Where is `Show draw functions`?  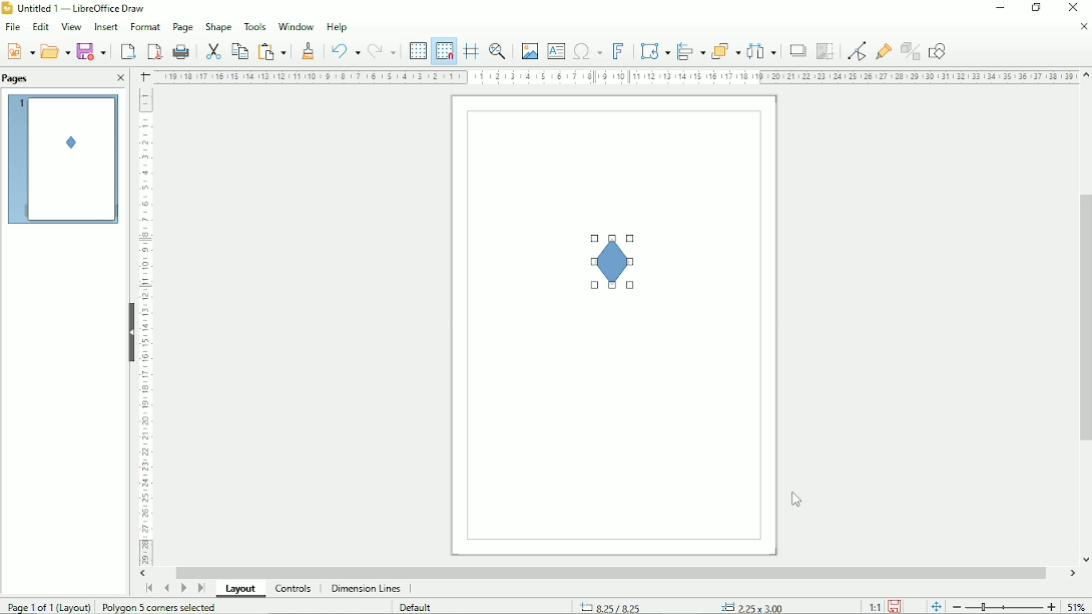 Show draw functions is located at coordinates (940, 49).